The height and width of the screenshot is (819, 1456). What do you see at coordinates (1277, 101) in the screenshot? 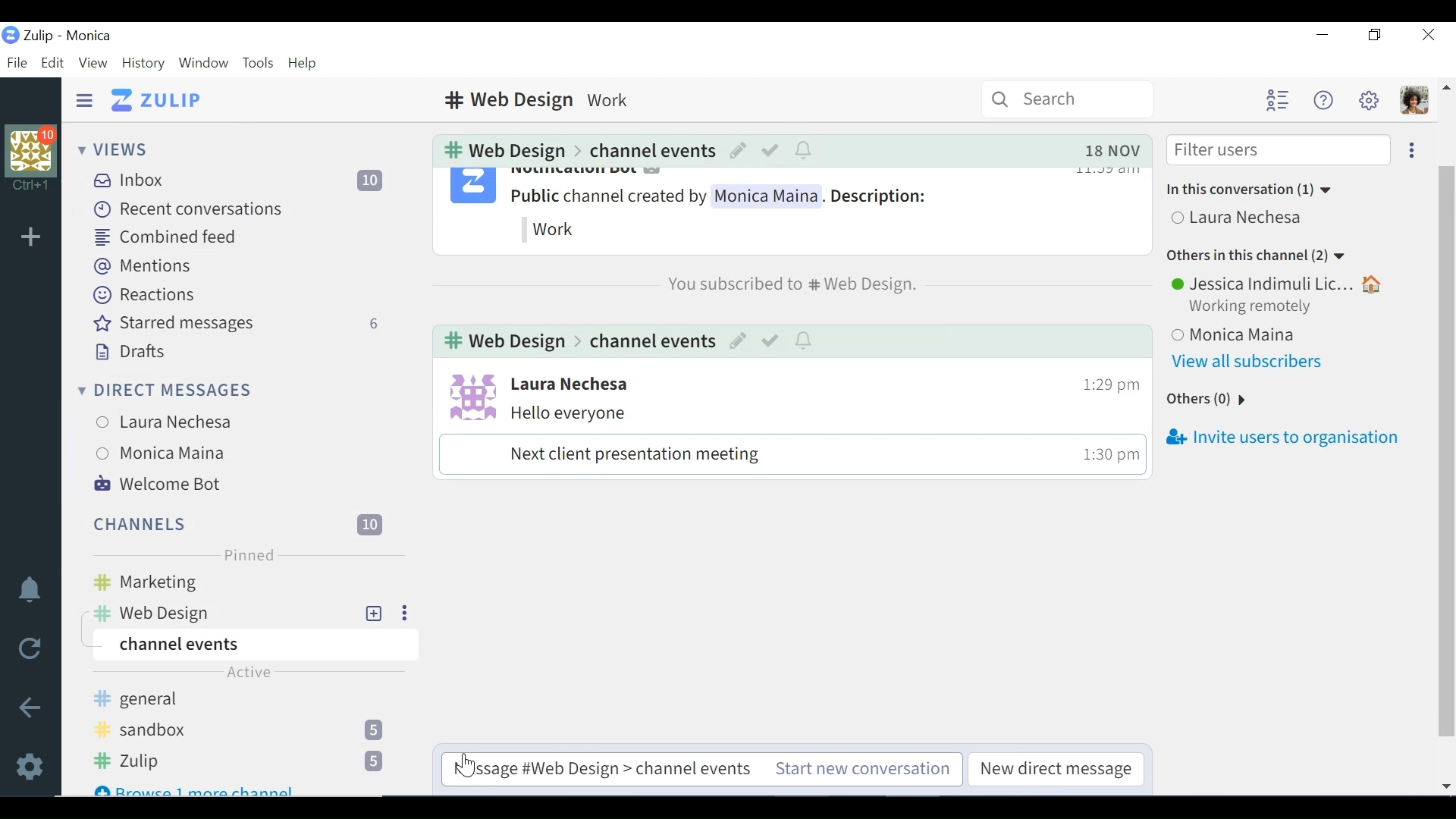
I see `Hide user list` at bounding box center [1277, 101].